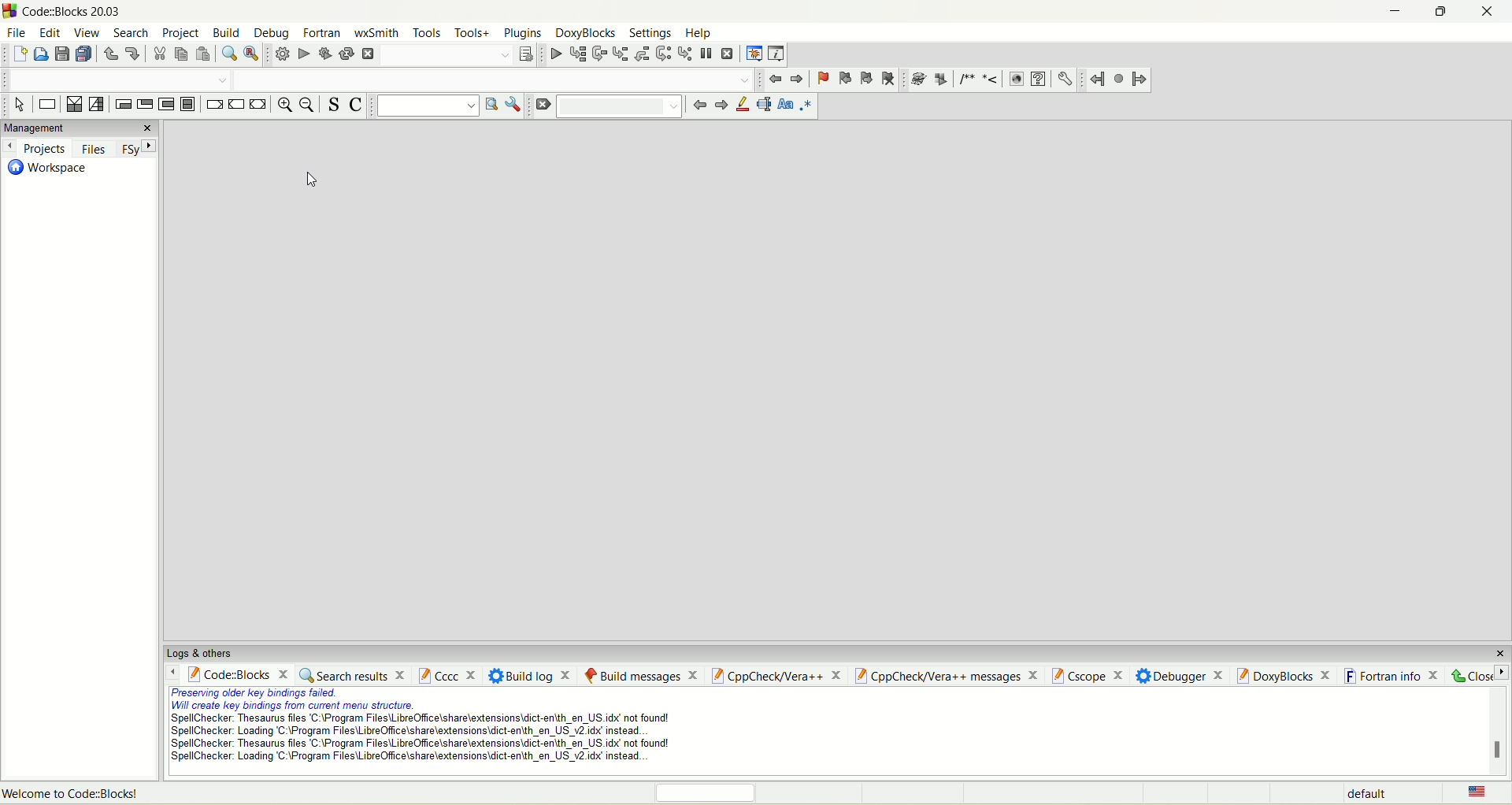 Image resolution: width=1512 pixels, height=805 pixels. I want to click on build and run, so click(324, 53).